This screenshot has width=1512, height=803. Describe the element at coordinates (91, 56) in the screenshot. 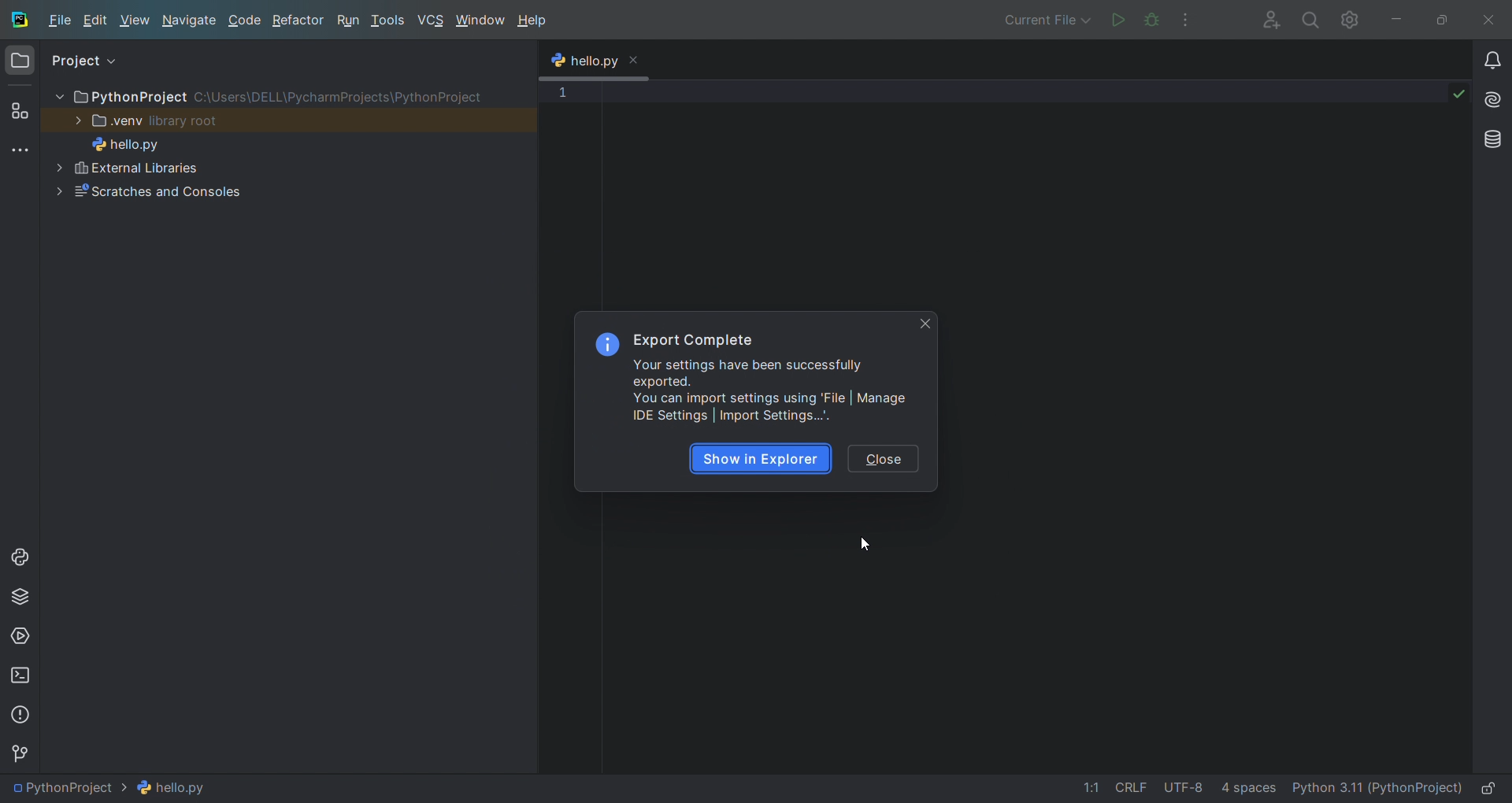

I see `project view` at that location.